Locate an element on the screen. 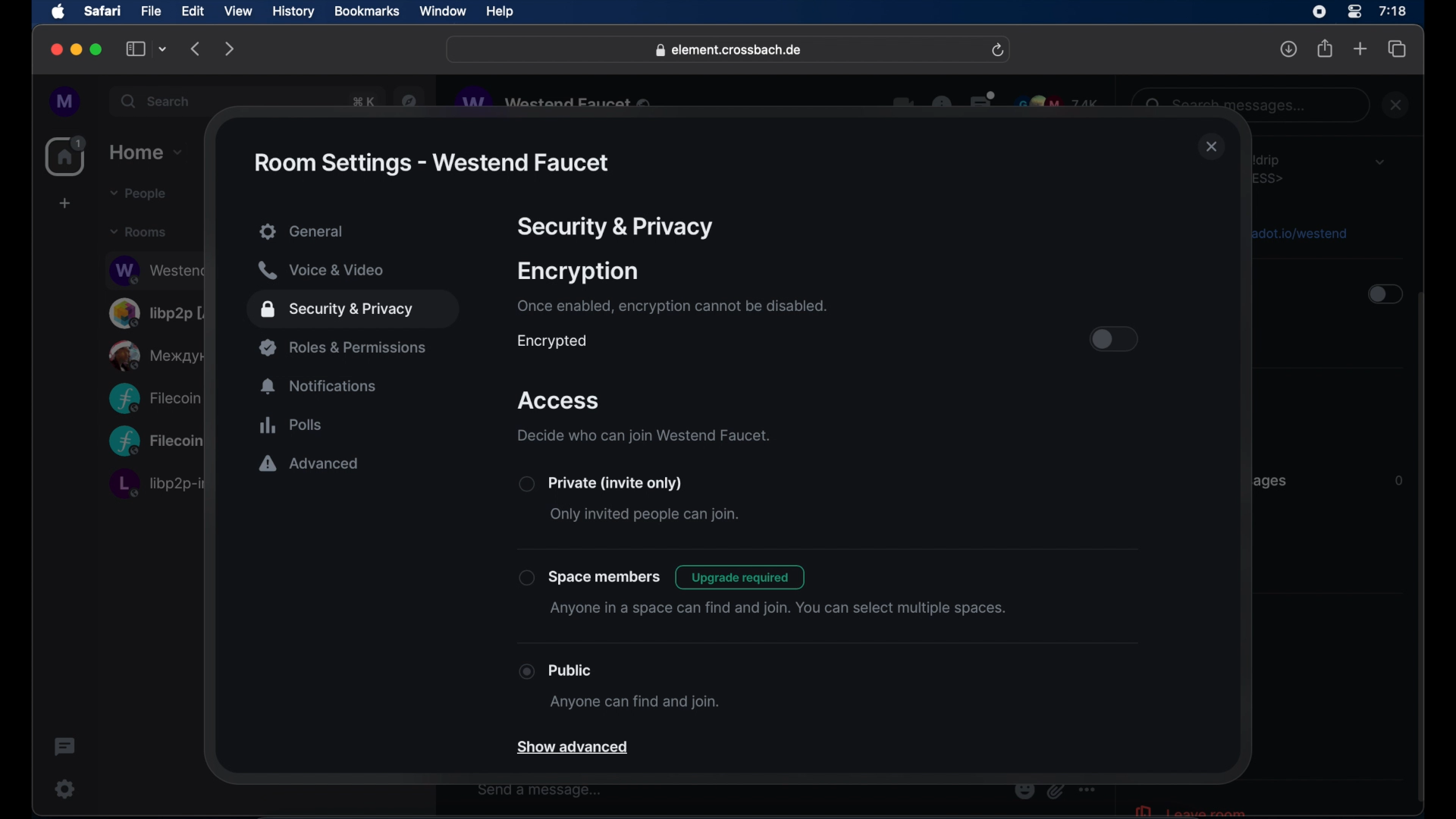  show sidebar is located at coordinates (136, 49).